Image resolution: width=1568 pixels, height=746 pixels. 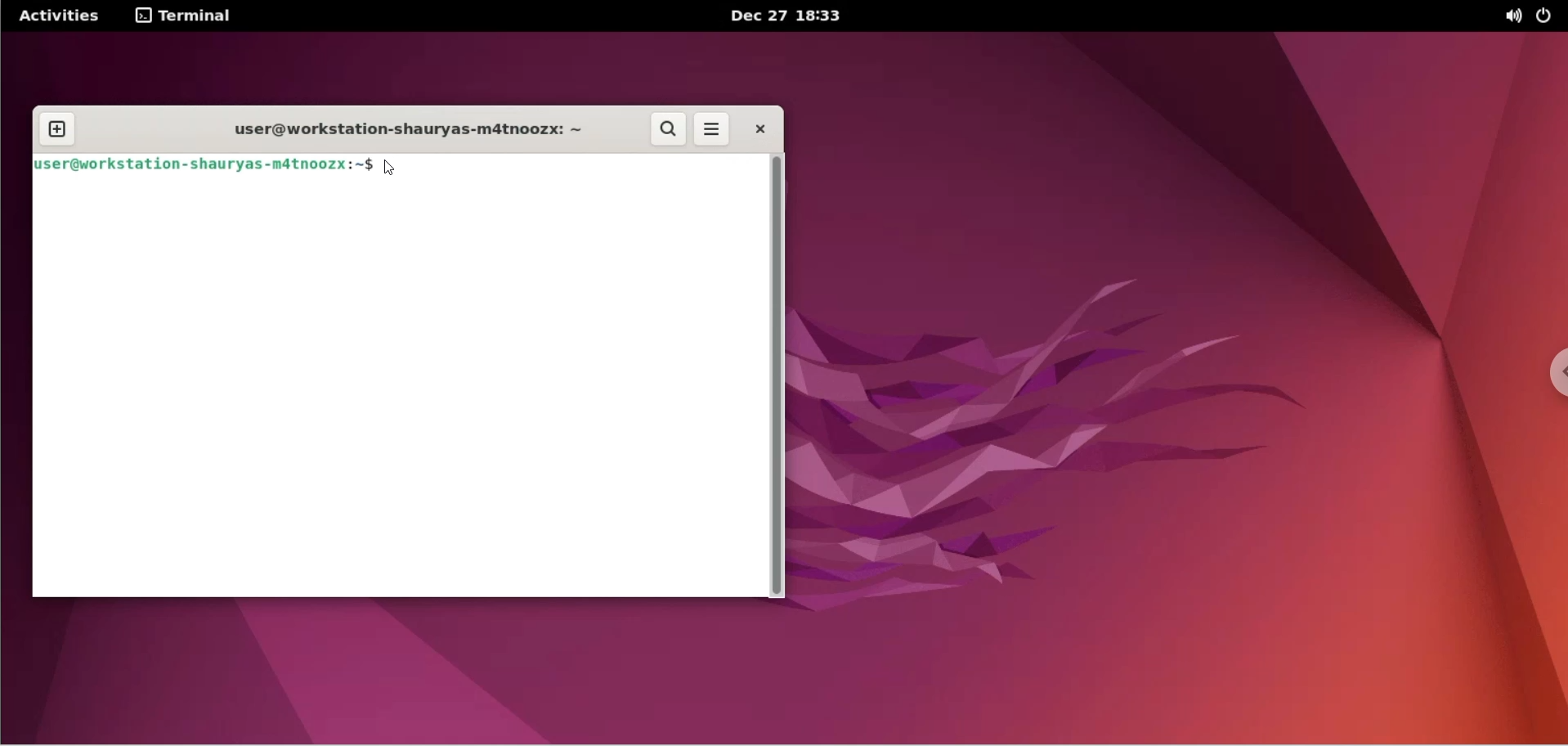 I want to click on close, so click(x=758, y=129).